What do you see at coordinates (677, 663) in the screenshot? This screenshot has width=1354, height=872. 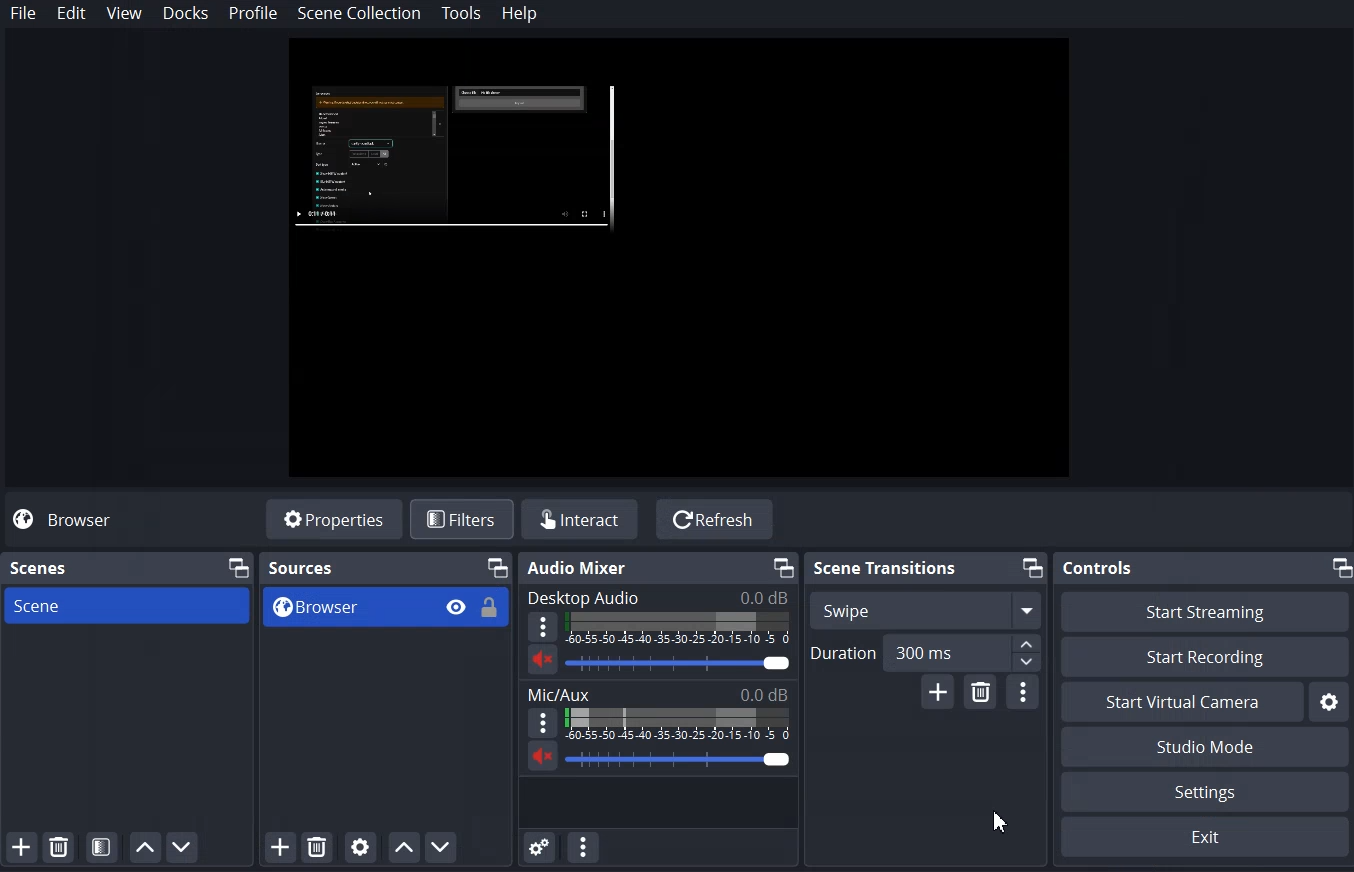 I see `Volume Adjuster` at bounding box center [677, 663].